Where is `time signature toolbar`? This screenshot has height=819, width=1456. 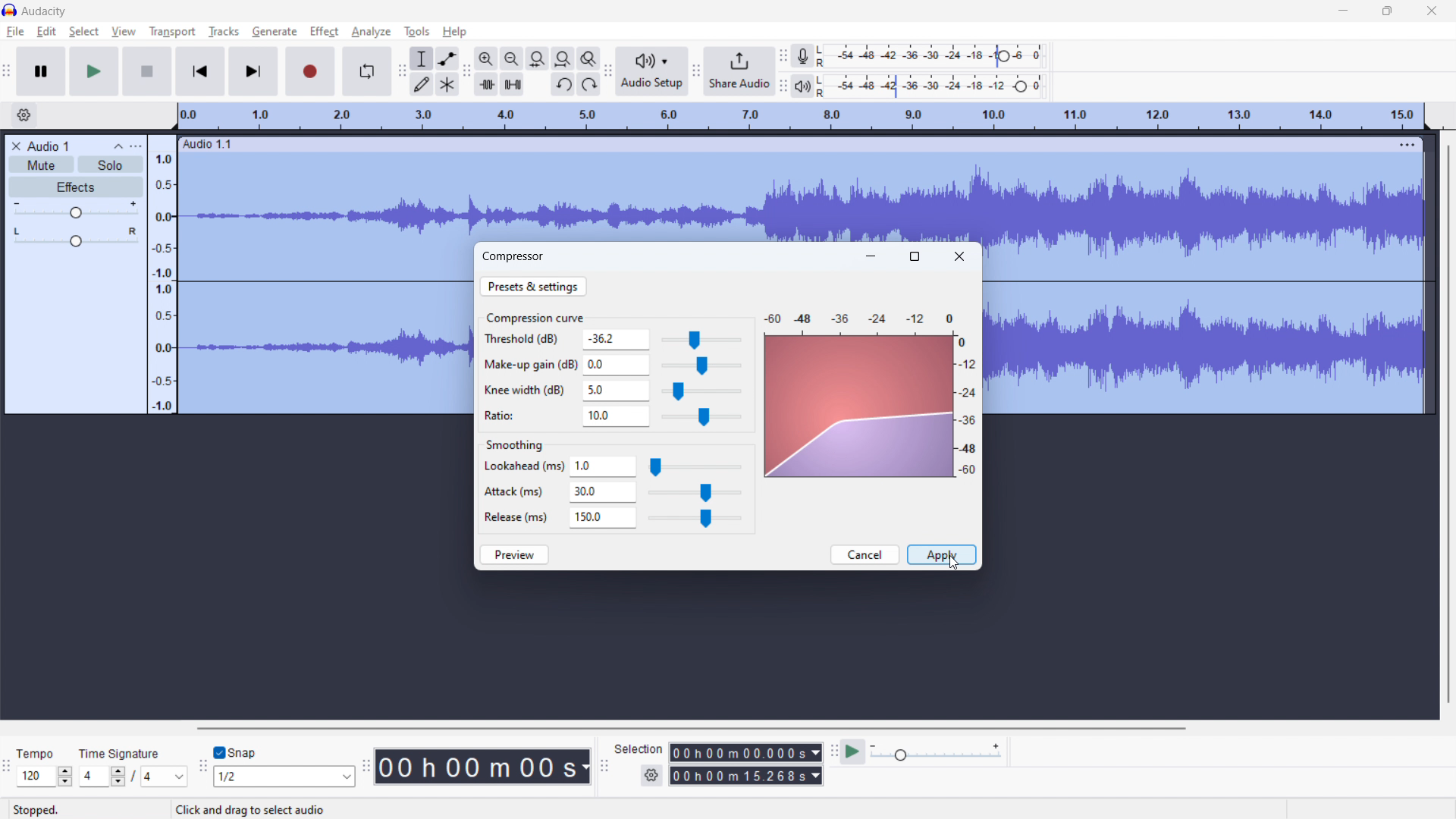 time signature toolbar is located at coordinates (8, 769).